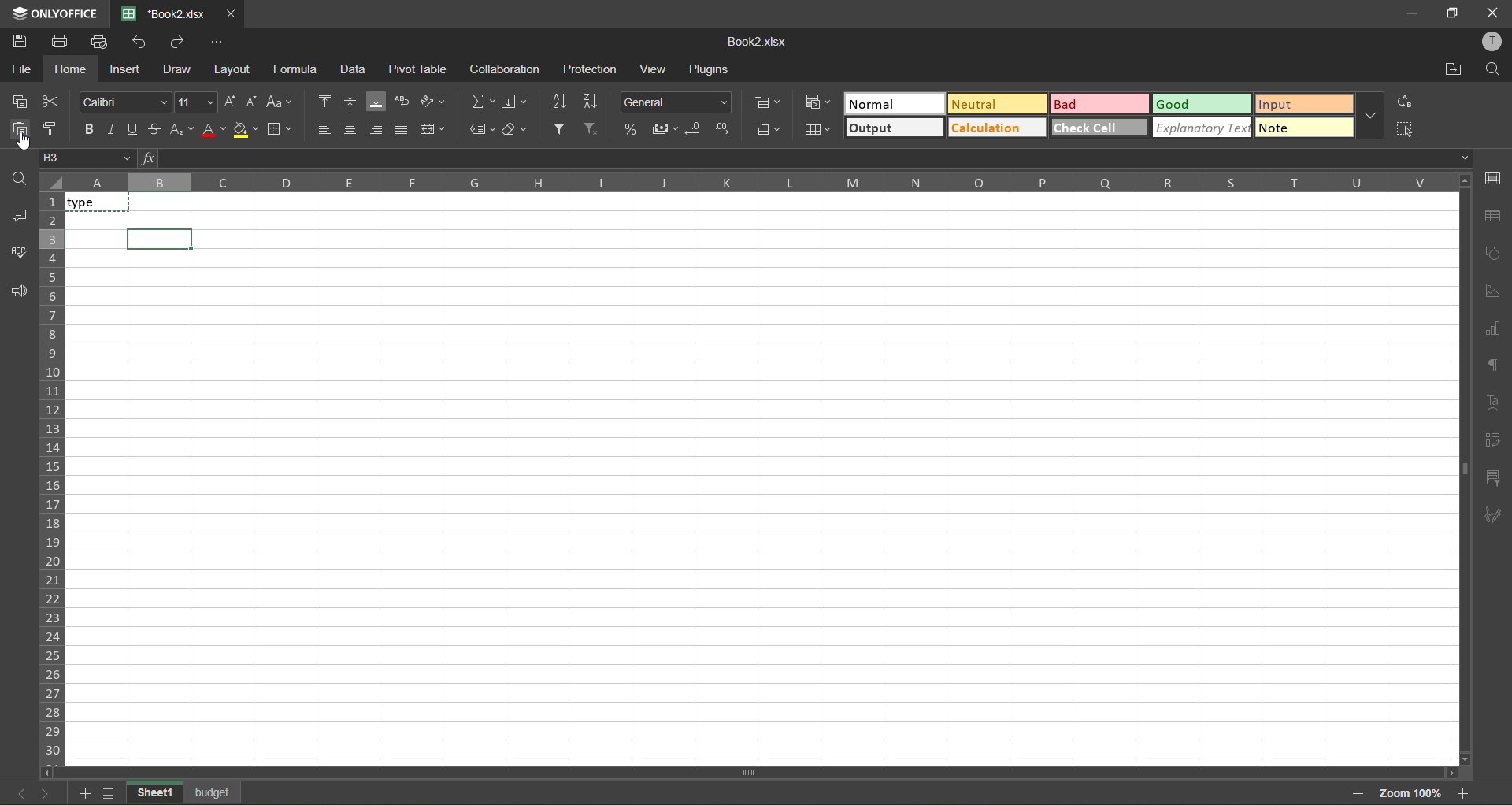 This screenshot has height=805, width=1512. What do you see at coordinates (694, 129) in the screenshot?
I see `decrease decimal` at bounding box center [694, 129].